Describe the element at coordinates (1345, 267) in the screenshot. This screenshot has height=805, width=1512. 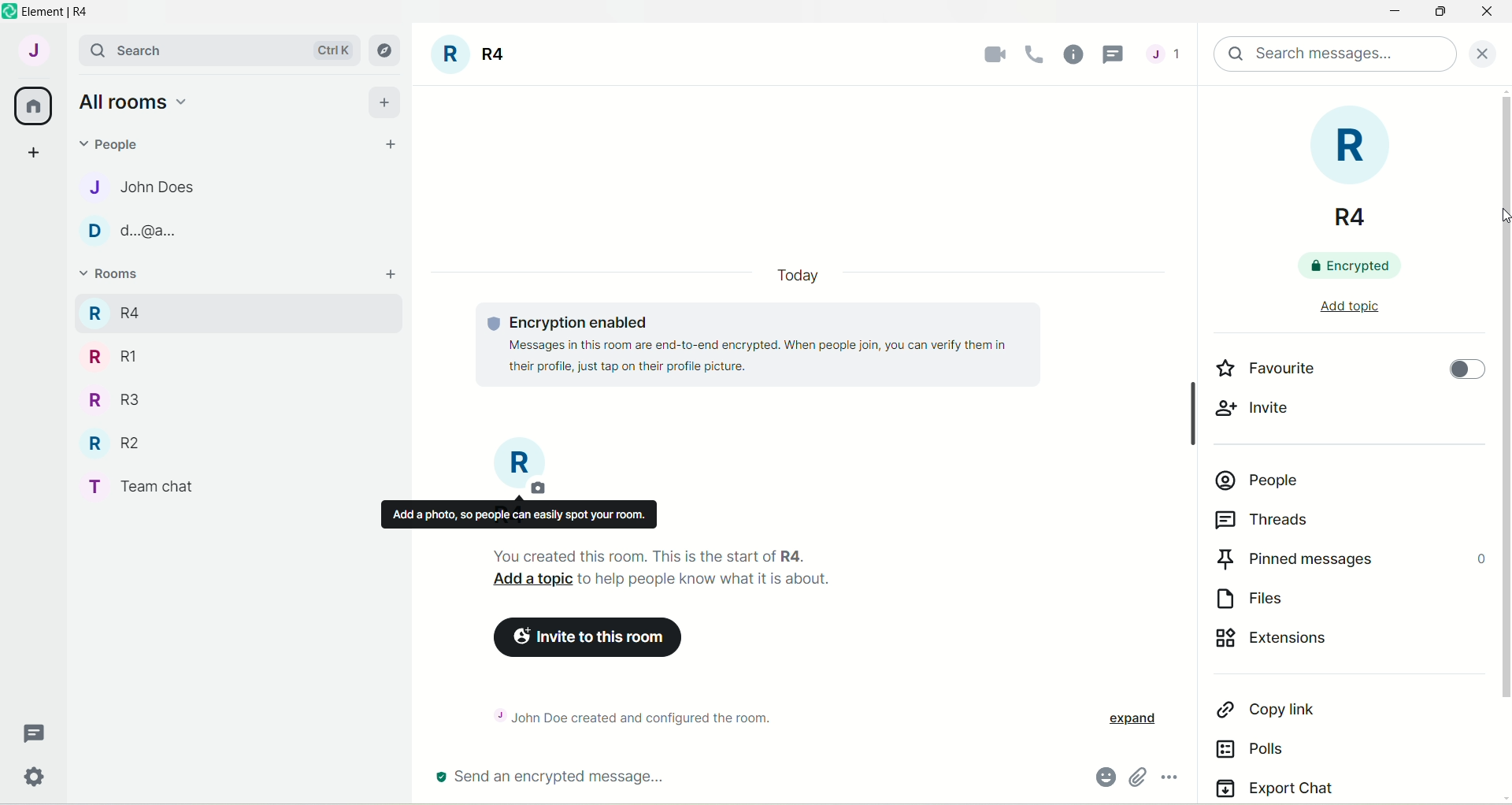
I see `encrypted` at that location.